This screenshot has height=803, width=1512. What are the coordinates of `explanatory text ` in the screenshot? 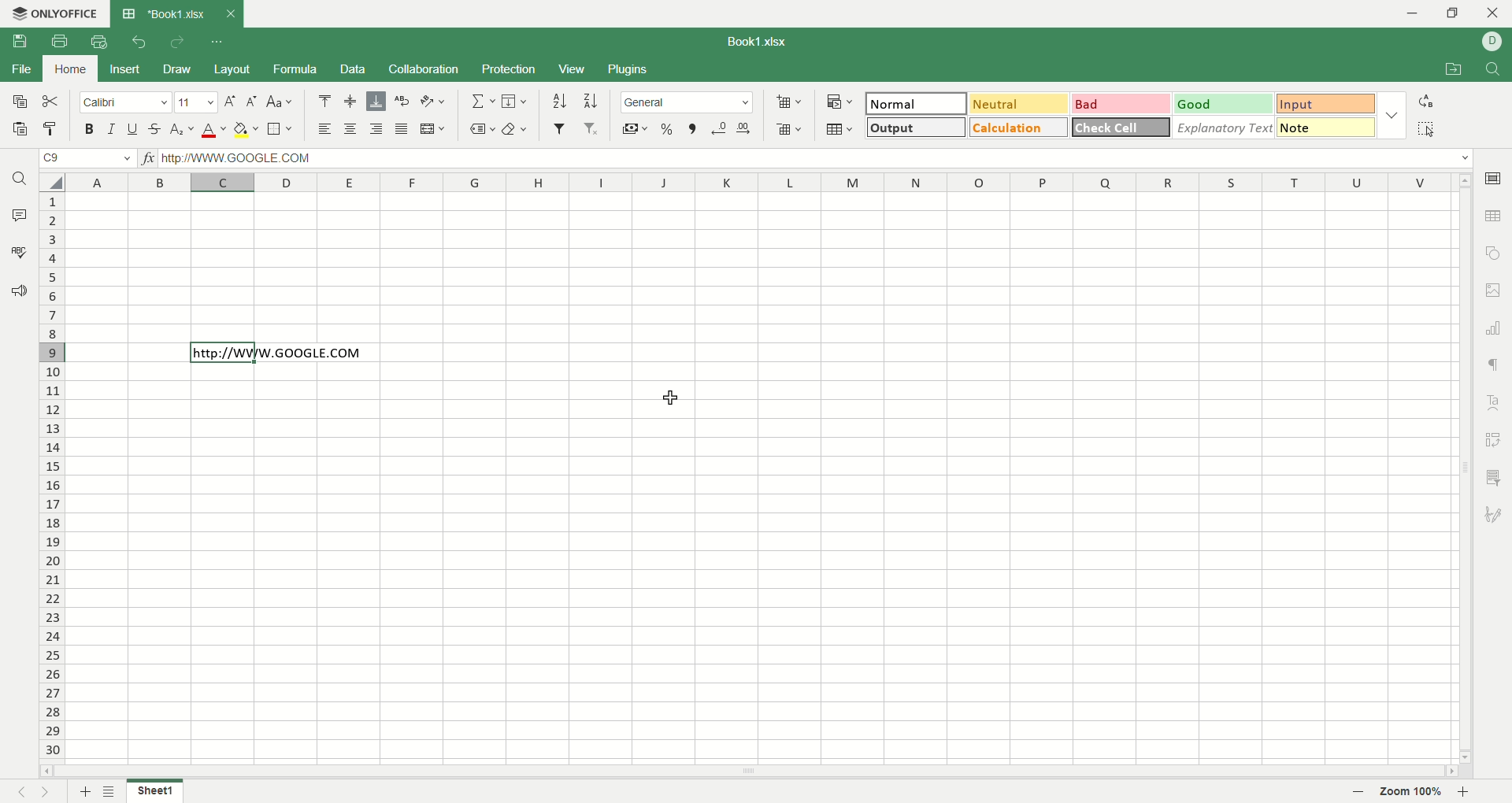 It's located at (1225, 128).